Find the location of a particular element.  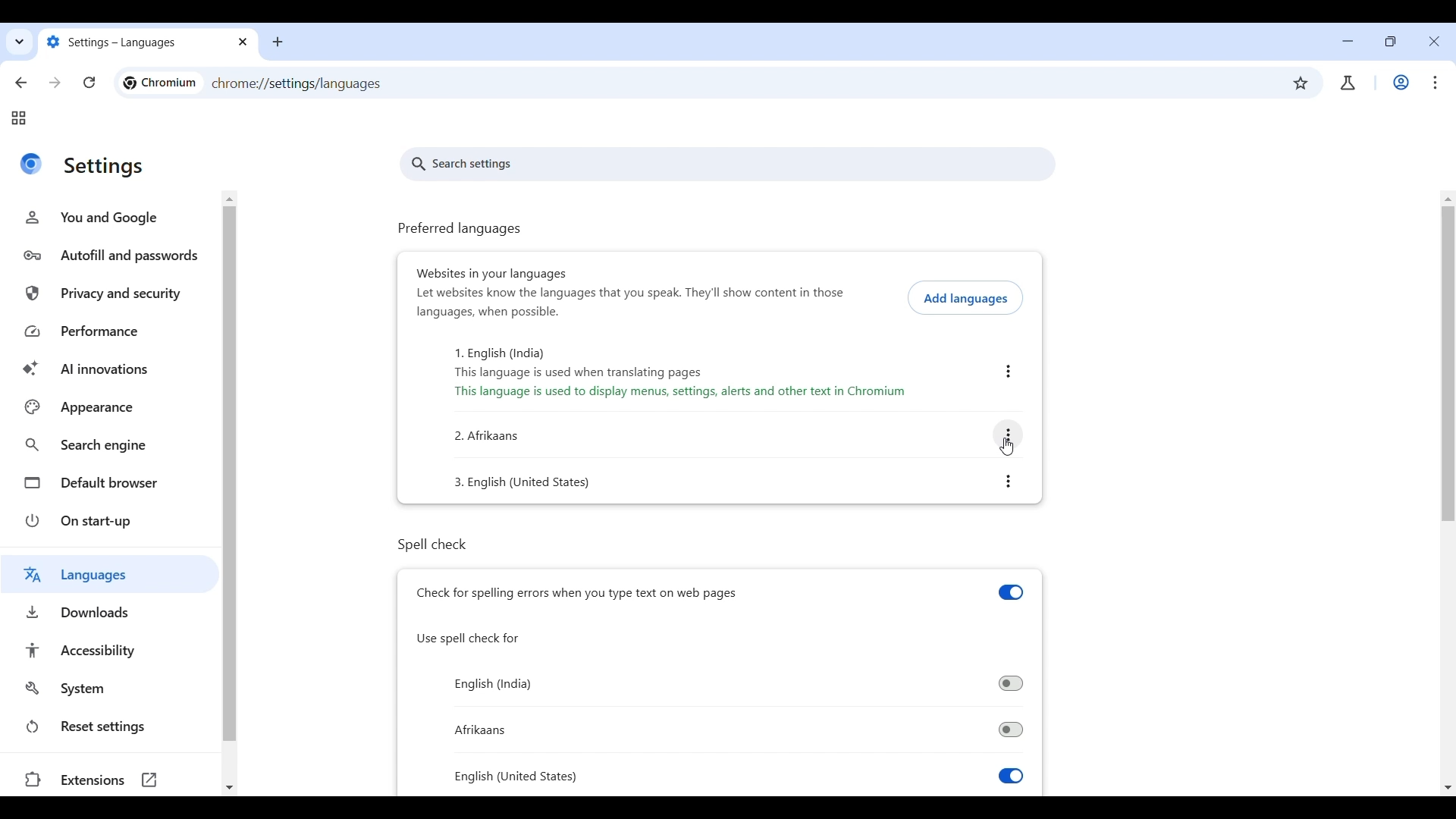

Performance is located at coordinates (114, 332).